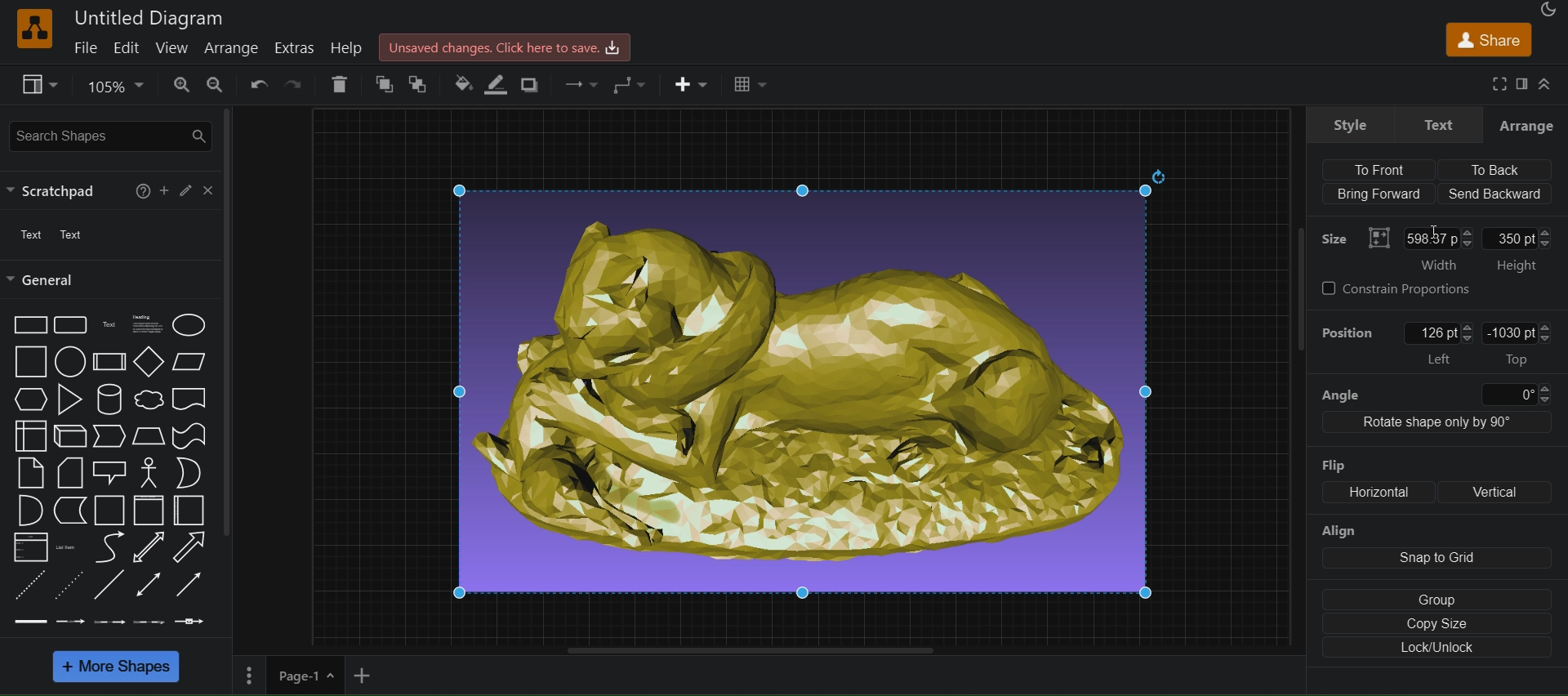 This screenshot has width=1568, height=696. Describe the element at coordinates (417, 86) in the screenshot. I see `to back` at that location.